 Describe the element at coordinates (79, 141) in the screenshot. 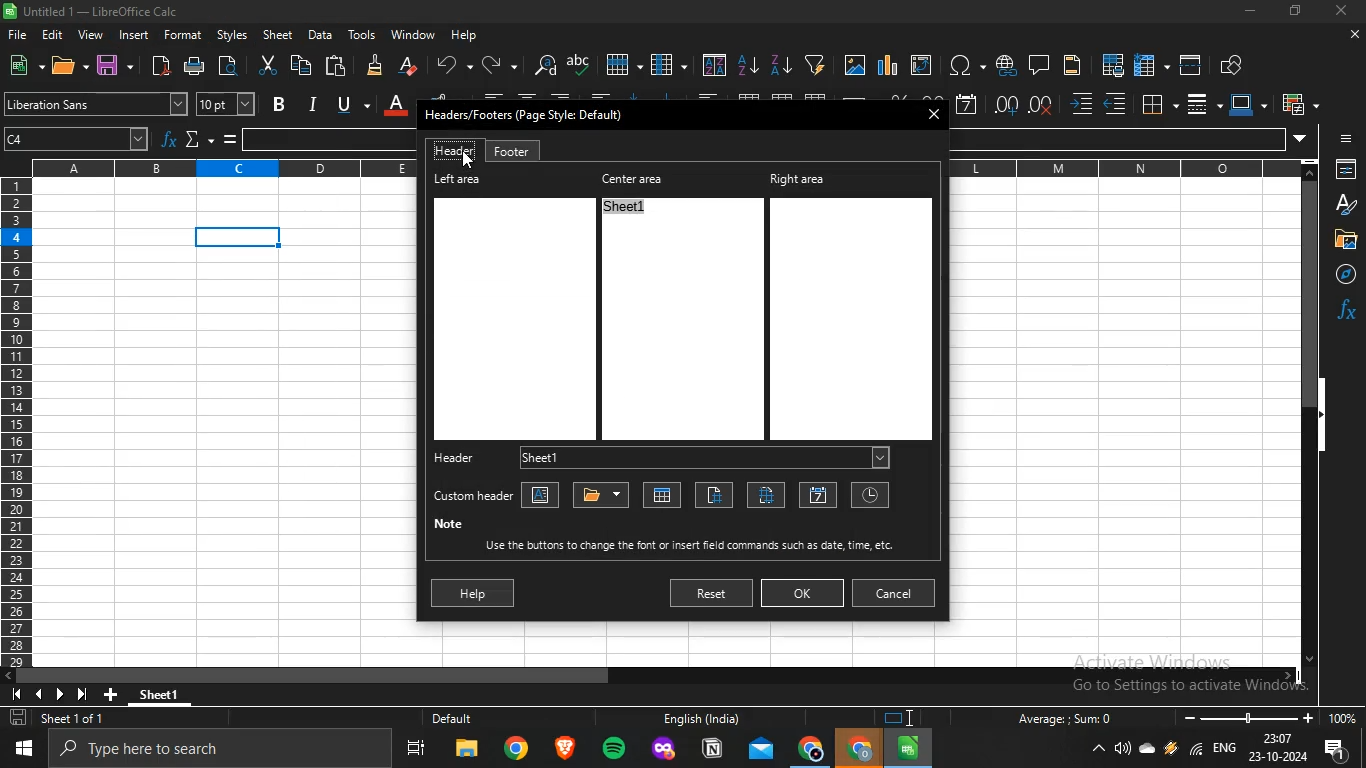

I see `cell number` at that location.